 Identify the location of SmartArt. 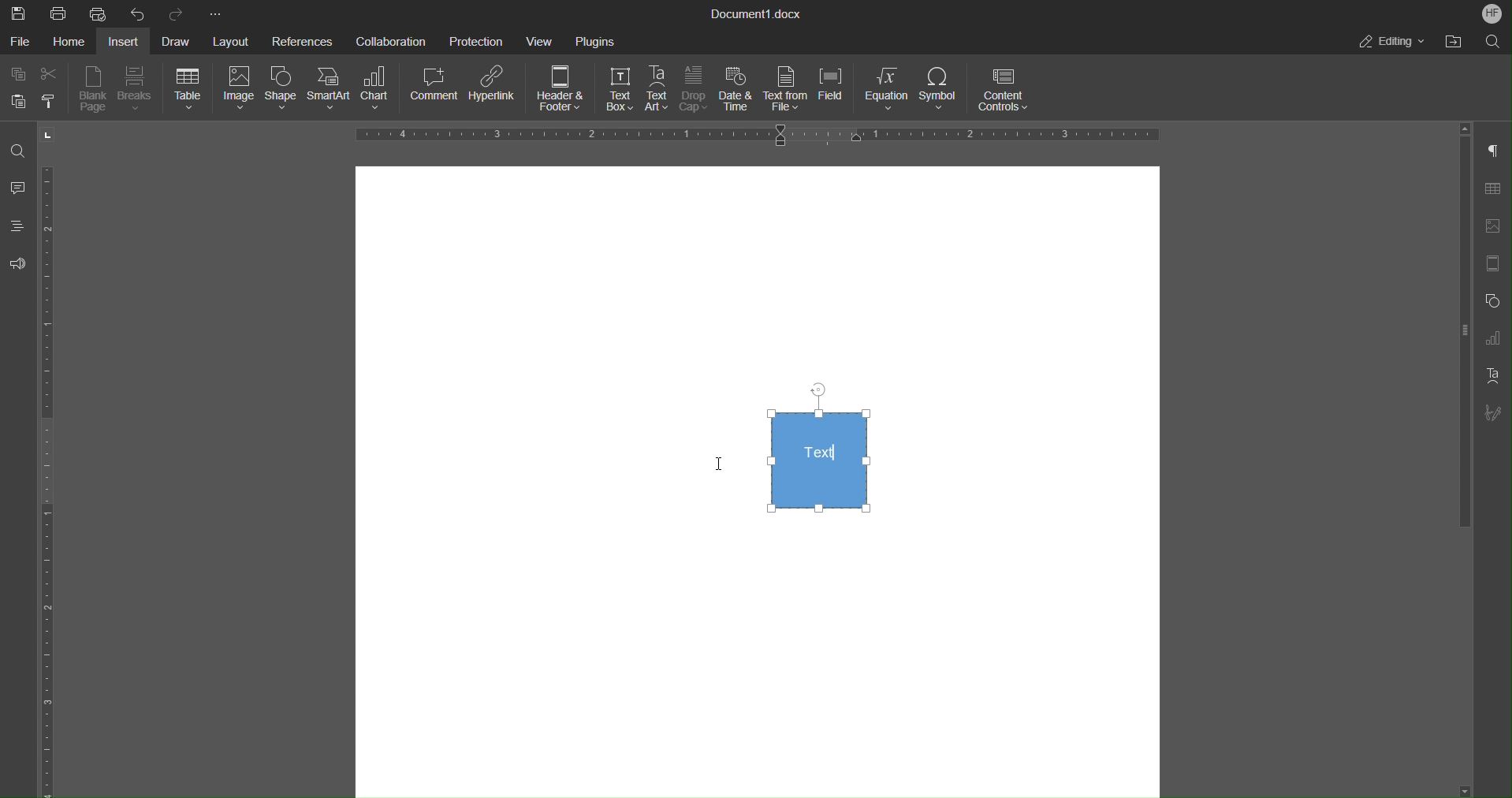
(331, 90).